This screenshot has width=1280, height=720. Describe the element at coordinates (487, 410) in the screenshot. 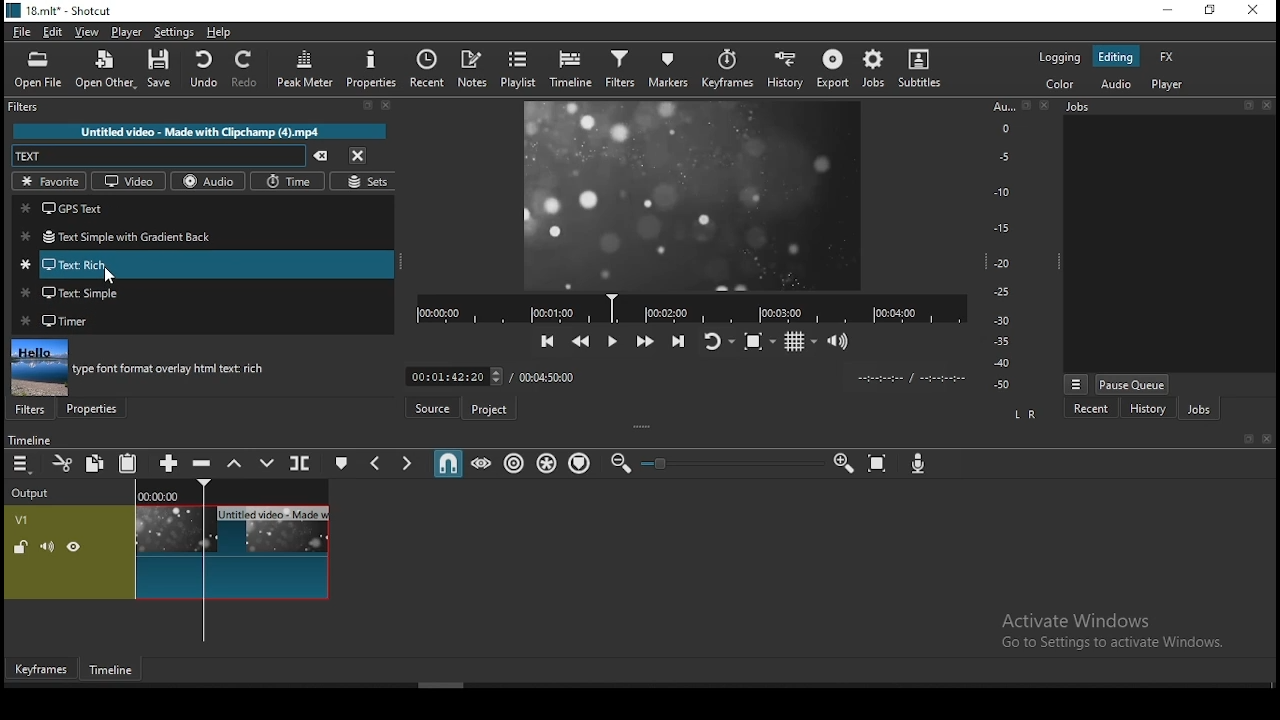

I see `project` at that location.